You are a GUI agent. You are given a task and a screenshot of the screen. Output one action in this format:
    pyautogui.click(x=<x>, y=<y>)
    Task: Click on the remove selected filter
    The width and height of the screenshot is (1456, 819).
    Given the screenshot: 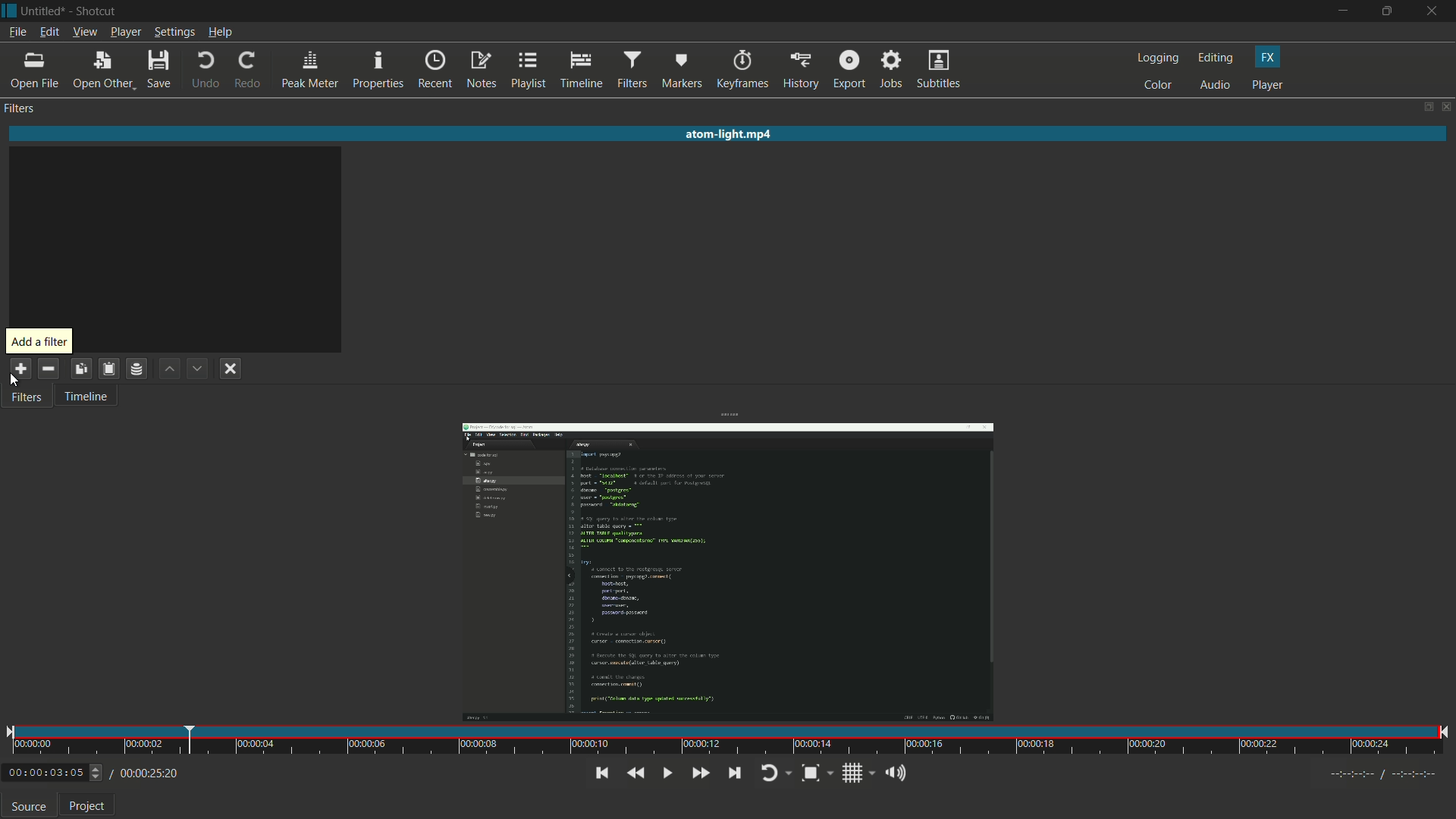 What is the action you would take?
    pyautogui.click(x=49, y=367)
    